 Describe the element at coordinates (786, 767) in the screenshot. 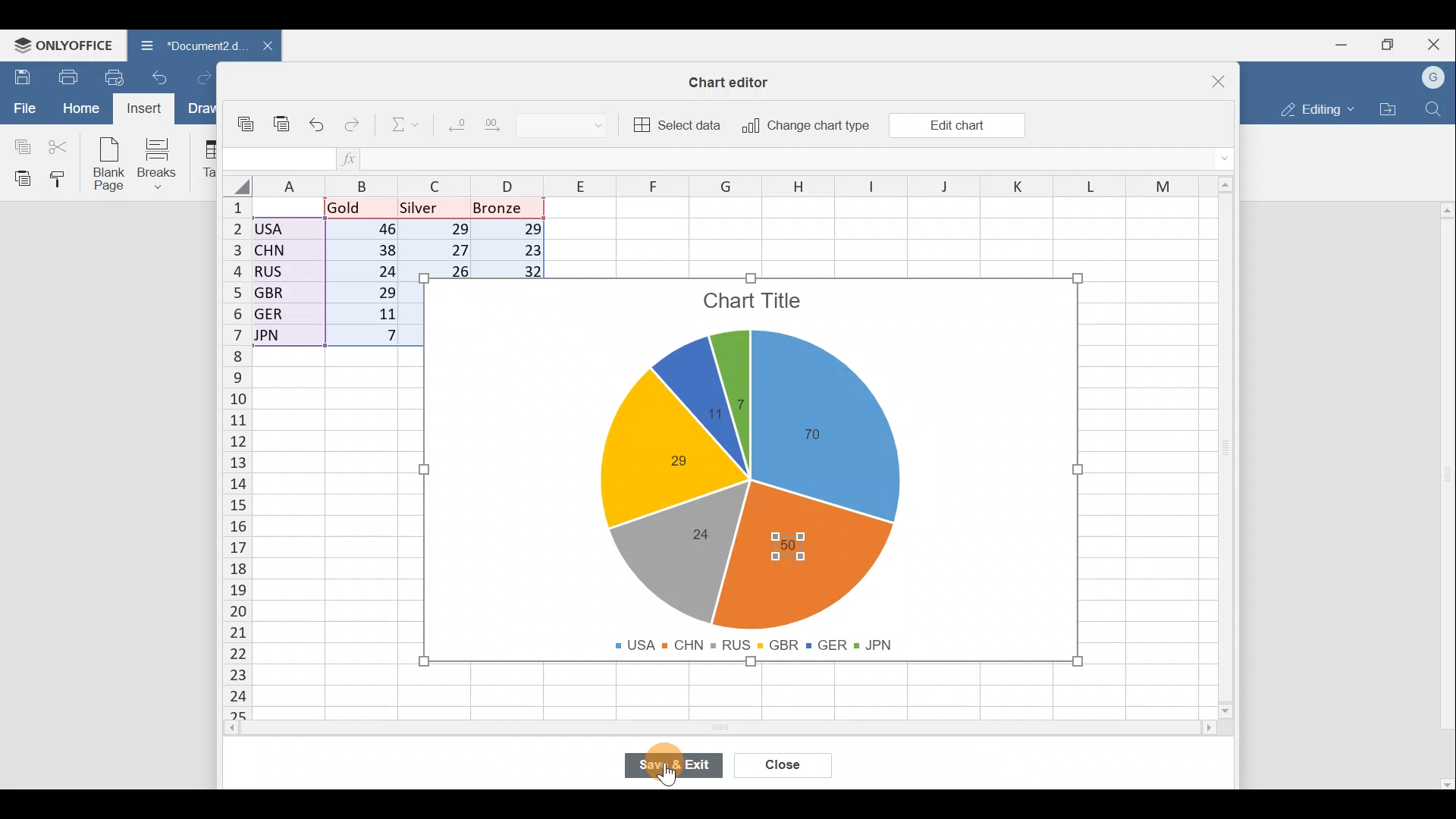

I see `Close` at that location.